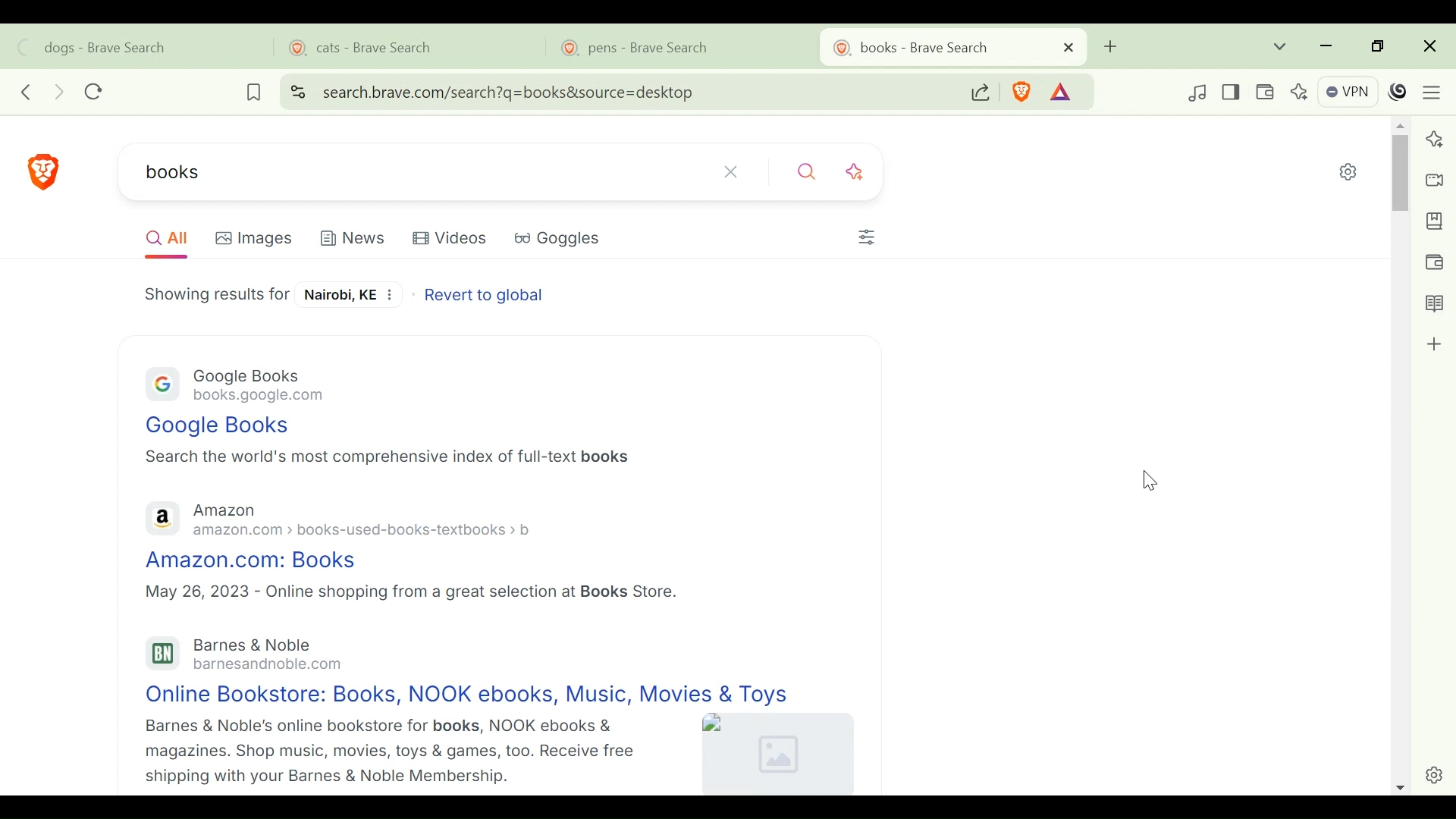  What do you see at coordinates (261, 292) in the screenshot?
I see `Search result` at bounding box center [261, 292].